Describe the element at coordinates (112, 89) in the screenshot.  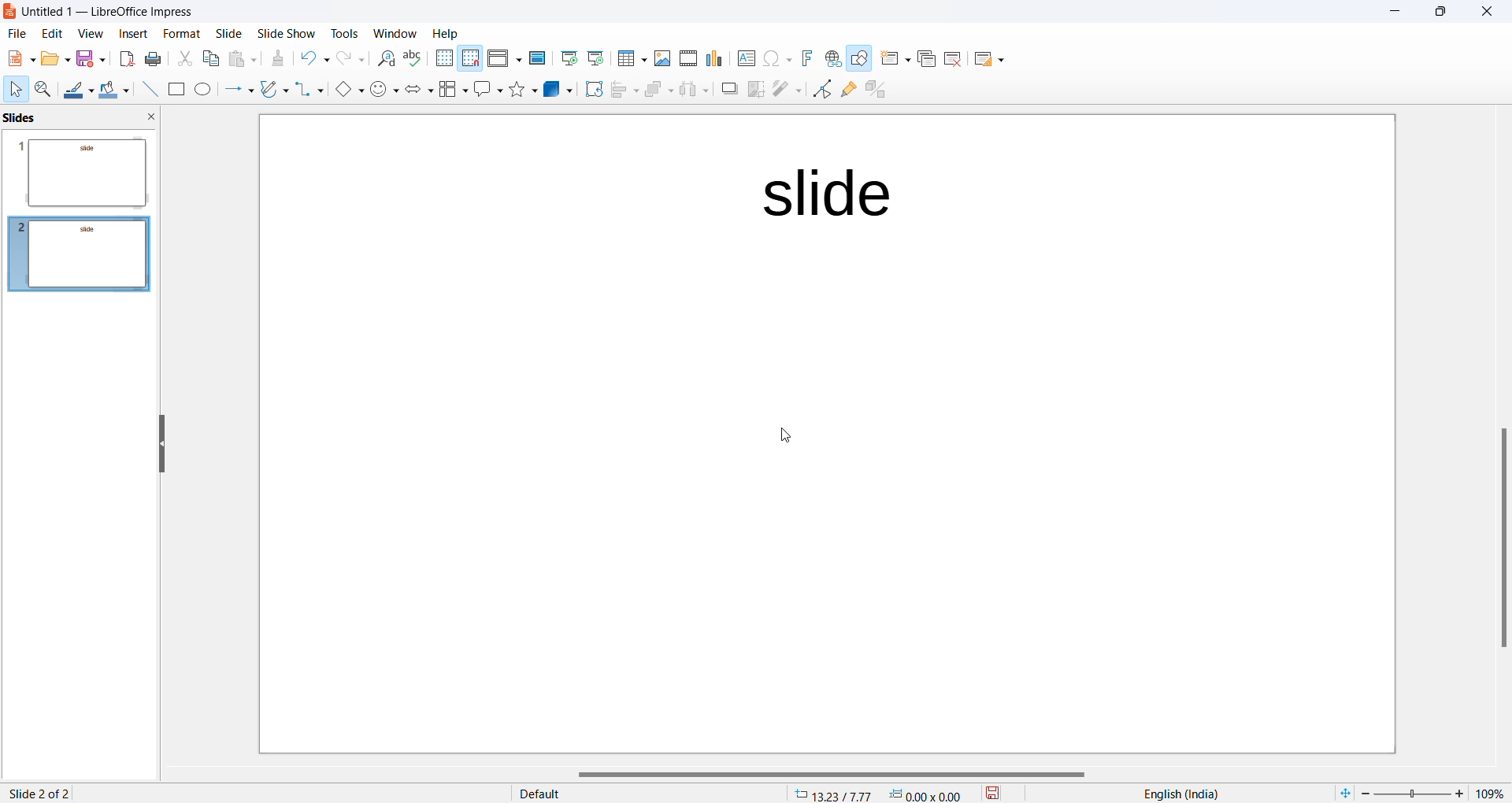
I see `Fill colour` at that location.